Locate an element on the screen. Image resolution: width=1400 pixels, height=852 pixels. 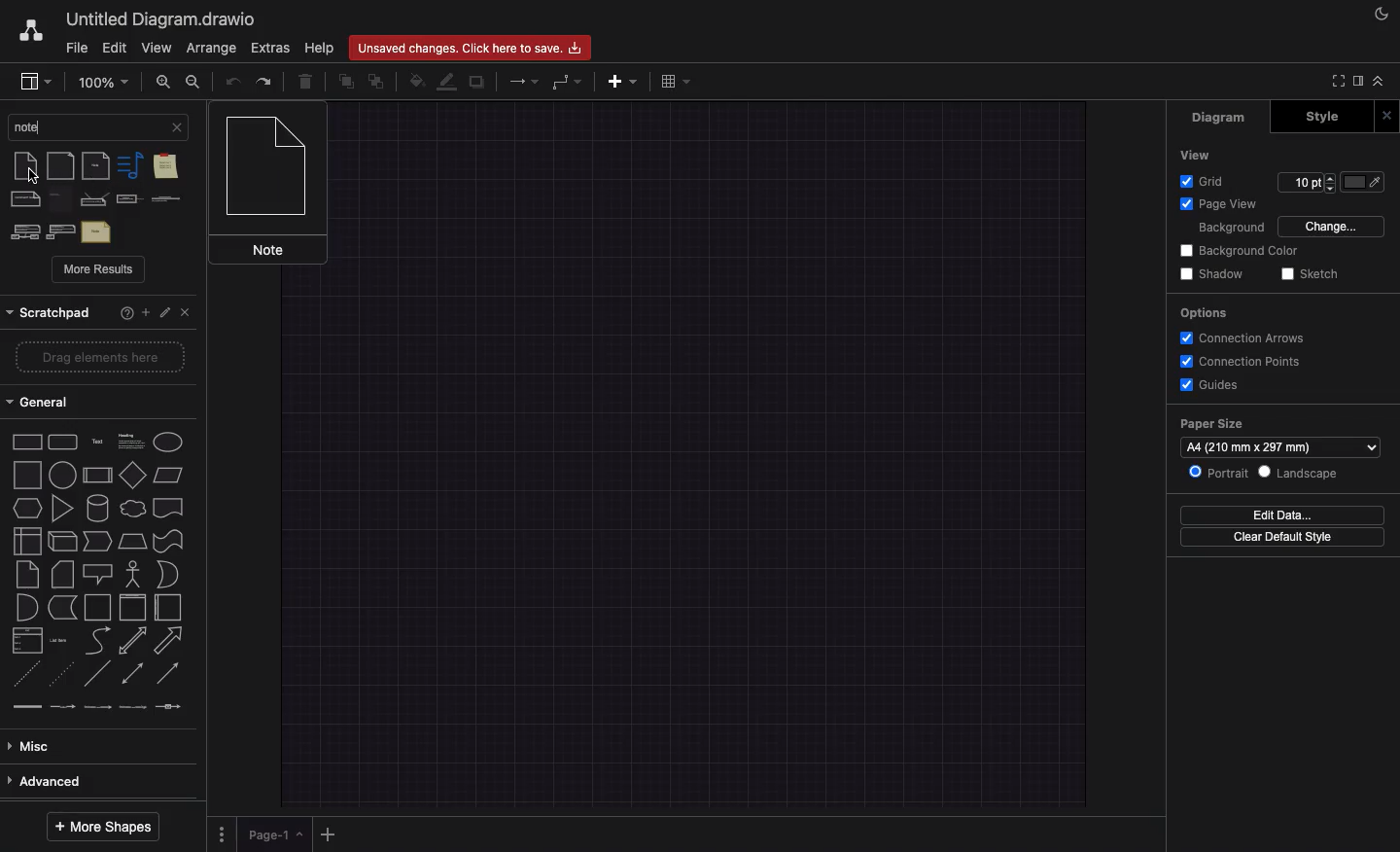
stereotype note is located at coordinates (61, 231).